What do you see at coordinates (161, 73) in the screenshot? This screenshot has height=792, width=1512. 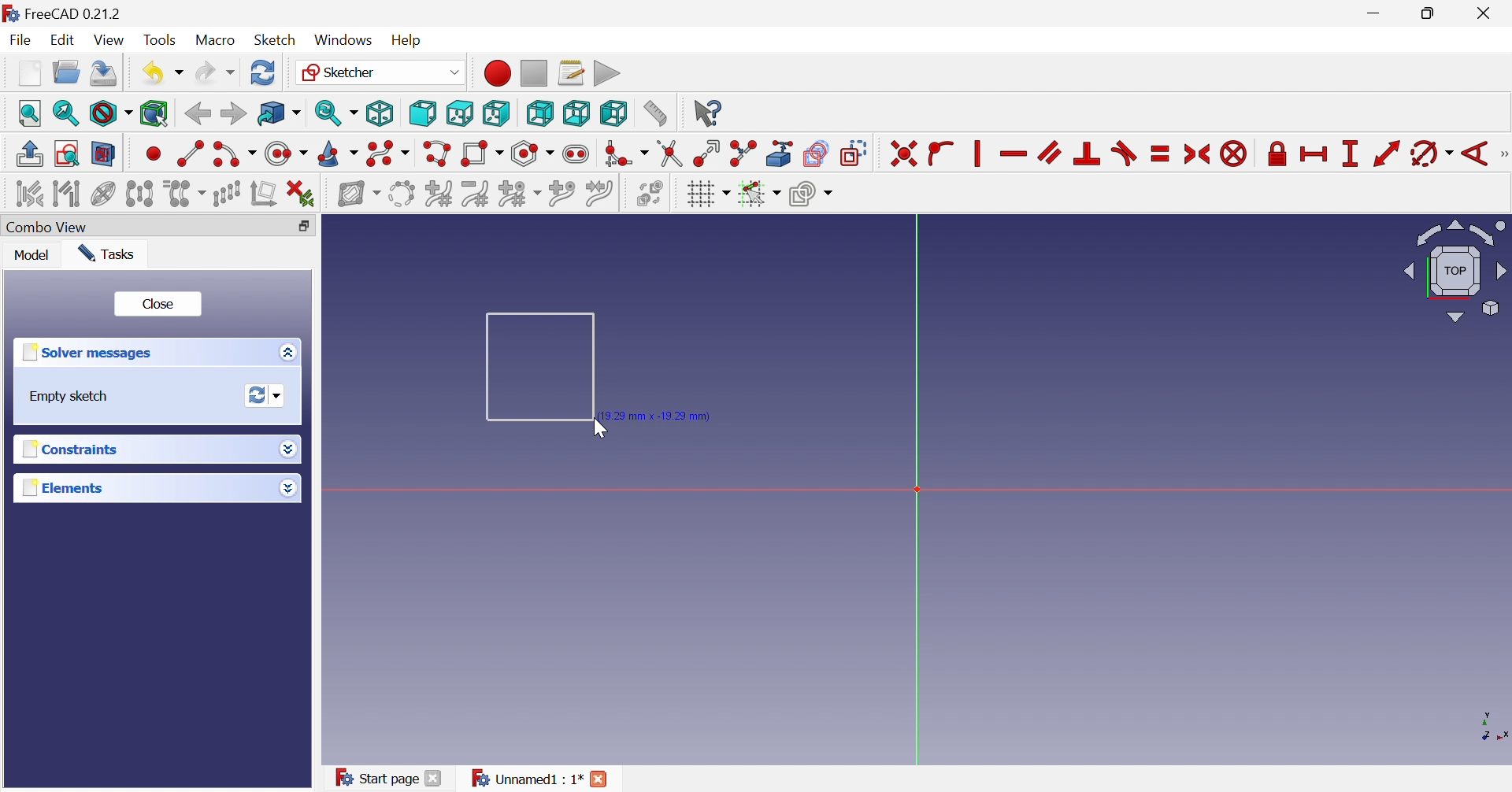 I see `Undo` at bounding box center [161, 73].